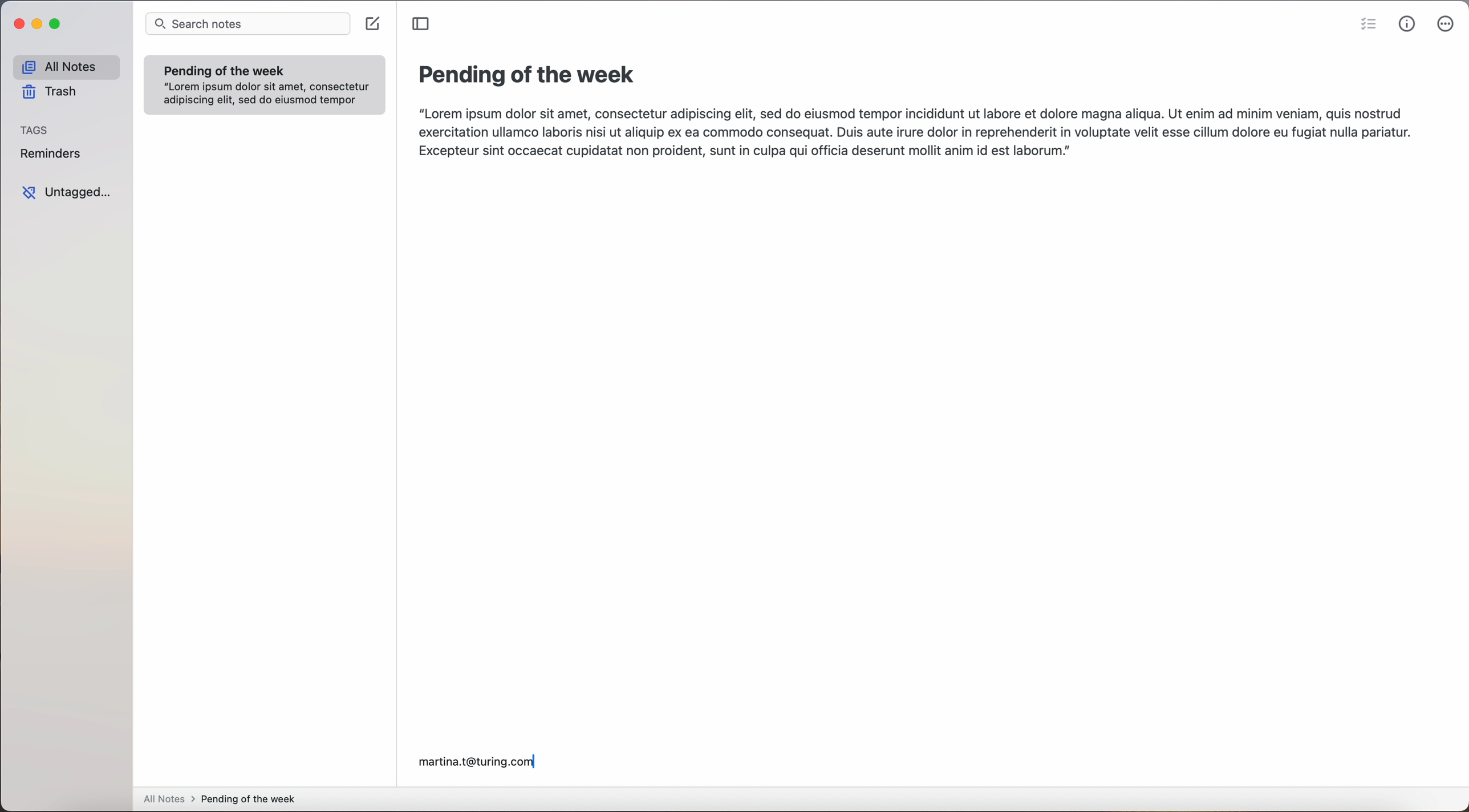 This screenshot has height=812, width=1469. What do you see at coordinates (1365, 25) in the screenshot?
I see `check list` at bounding box center [1365, 25].